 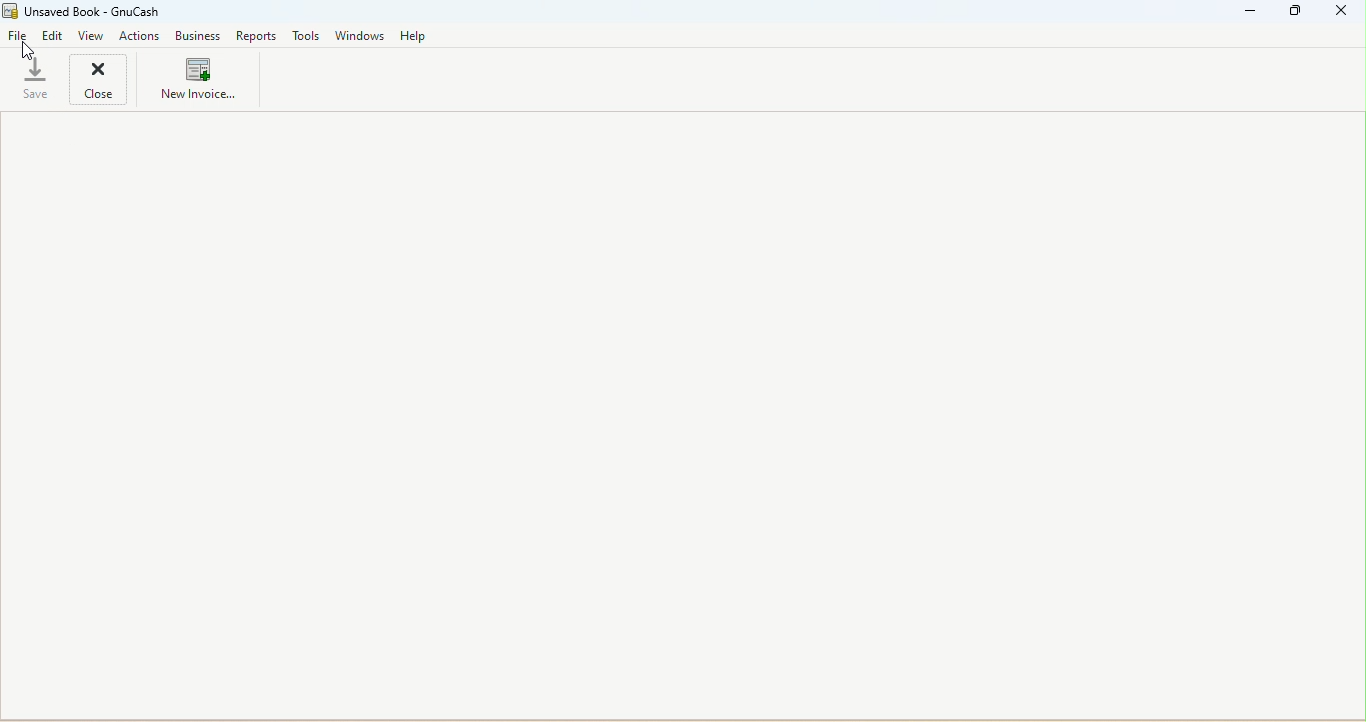 What do you see at coordinates (101, 82) in the screenshot?
I see `Close` at bounding box center [101, 82].